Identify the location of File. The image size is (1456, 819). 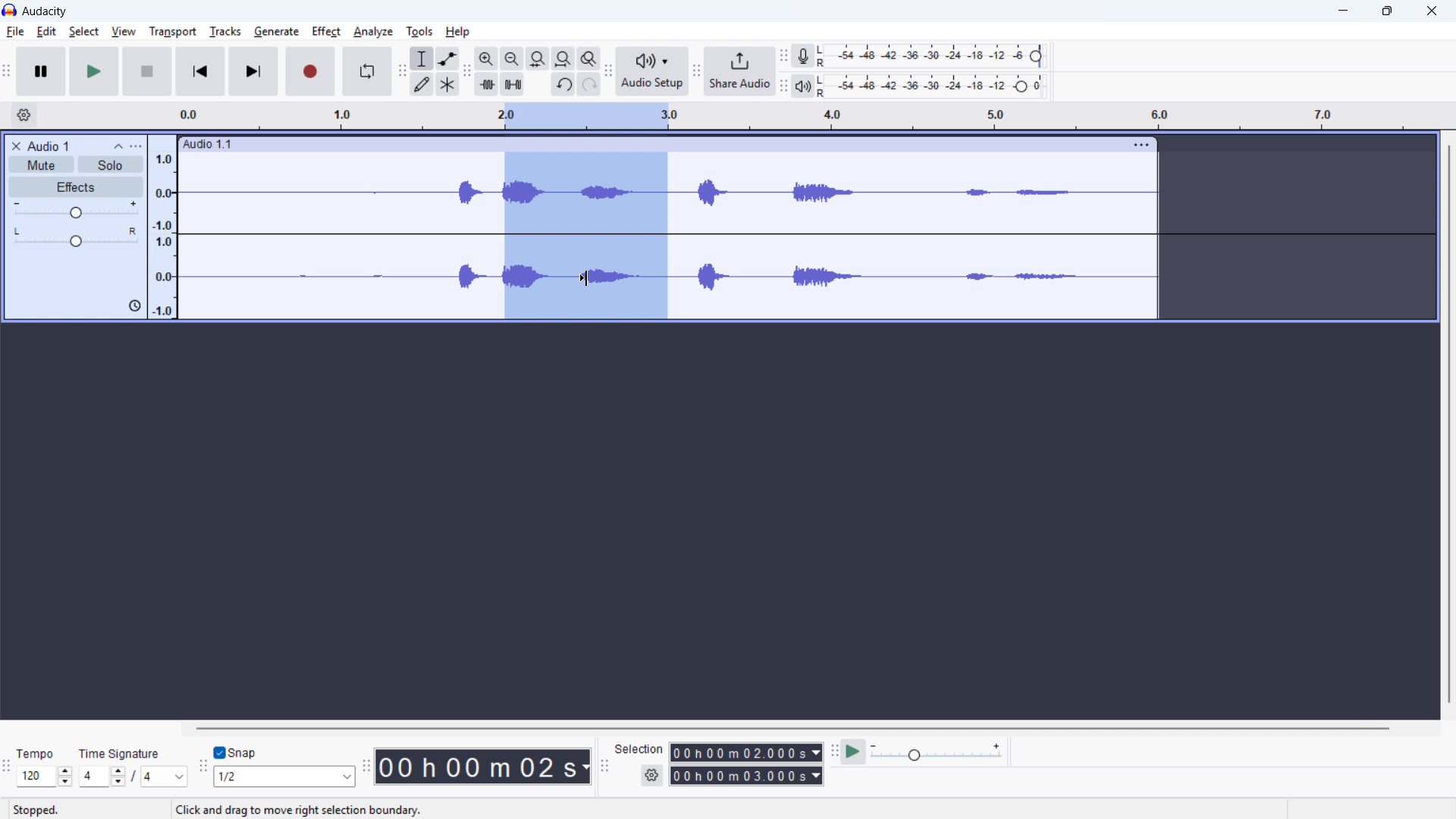
(14, 32).